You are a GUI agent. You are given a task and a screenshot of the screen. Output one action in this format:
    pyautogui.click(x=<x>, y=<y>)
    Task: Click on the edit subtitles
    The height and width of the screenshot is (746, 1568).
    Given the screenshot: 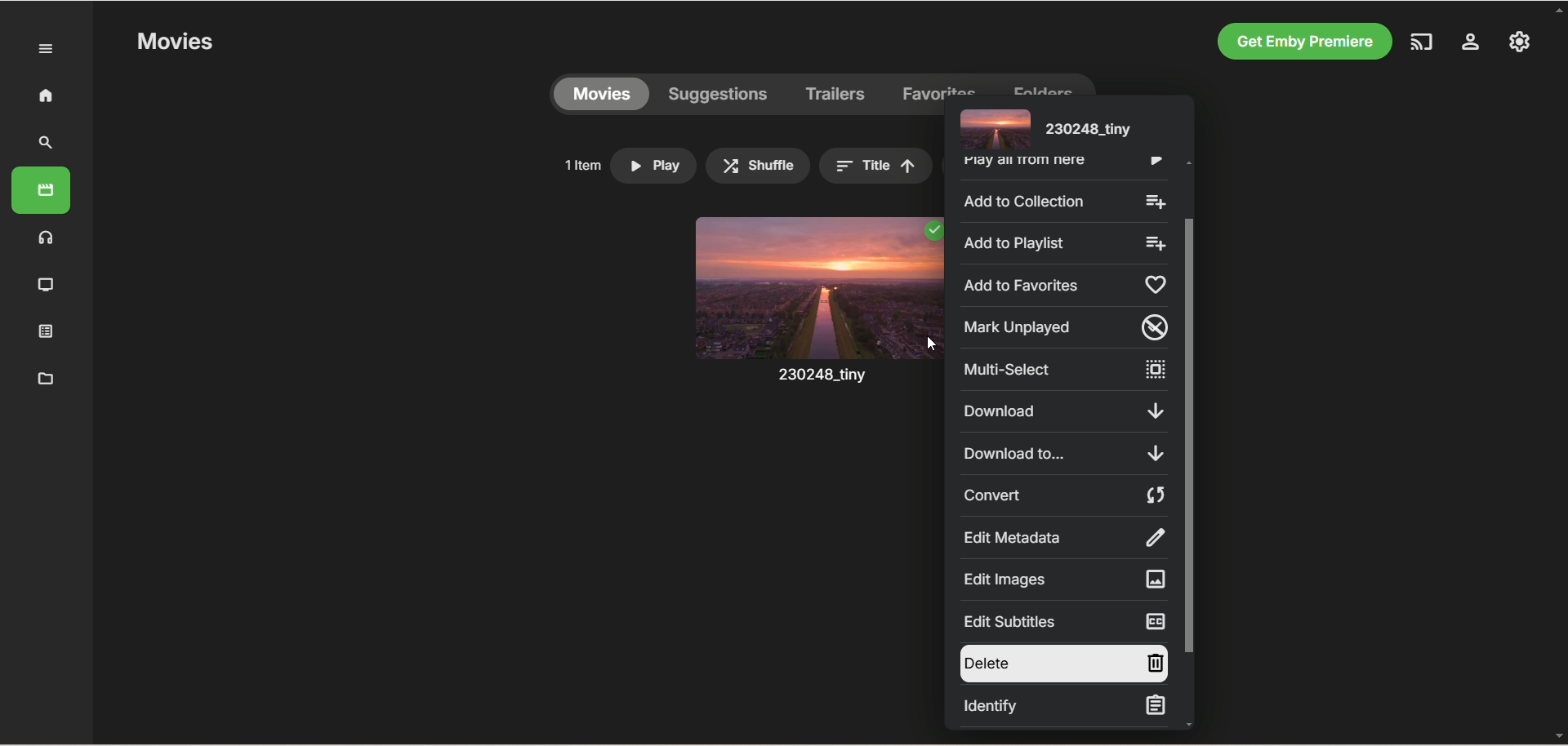 What is the action you would take?
    pyautogui.click(x=1062, y=621)
    